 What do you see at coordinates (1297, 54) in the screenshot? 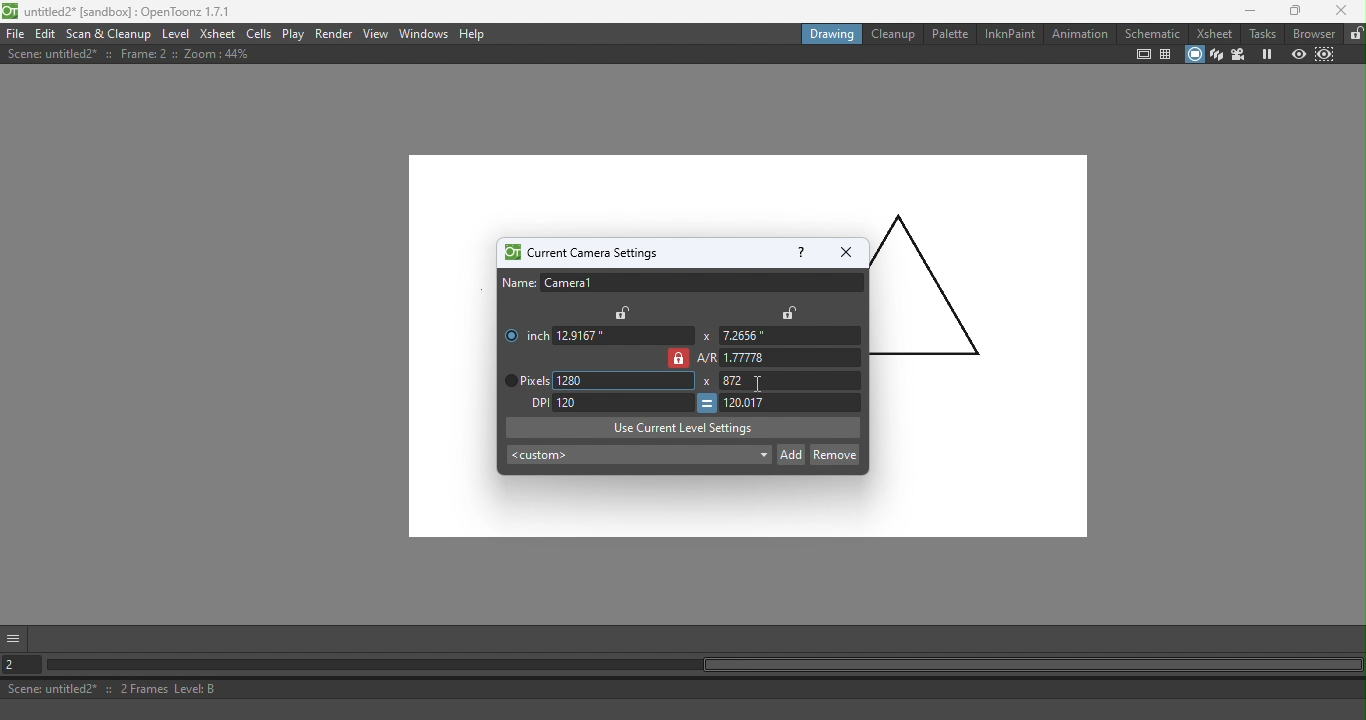
I see `Preview` at bounding box center [1297, 54].